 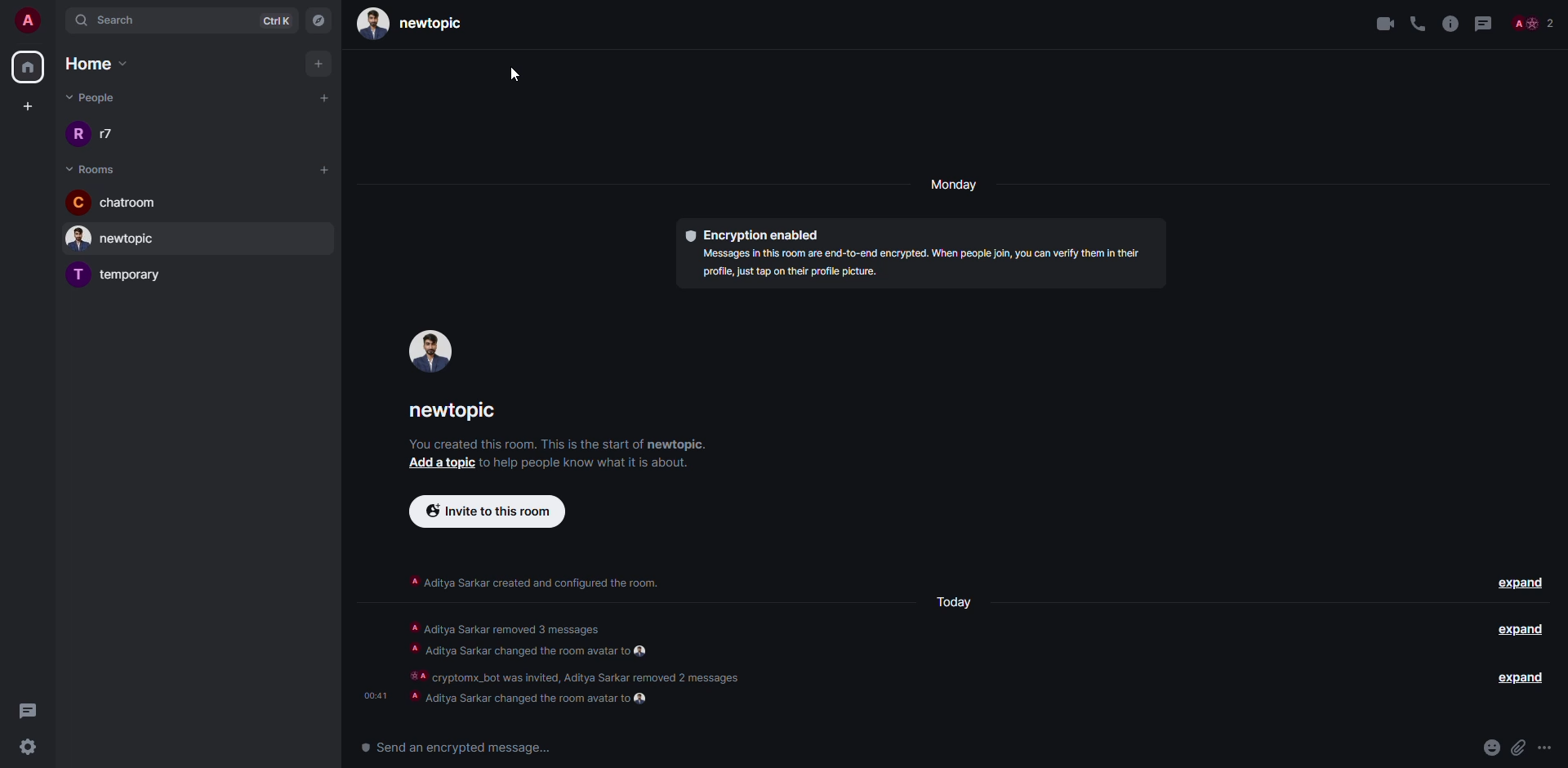 What do you see at coordinates (536, 699) in the screenshot?
I see `avatar changed` at bounding box center [536, 699].